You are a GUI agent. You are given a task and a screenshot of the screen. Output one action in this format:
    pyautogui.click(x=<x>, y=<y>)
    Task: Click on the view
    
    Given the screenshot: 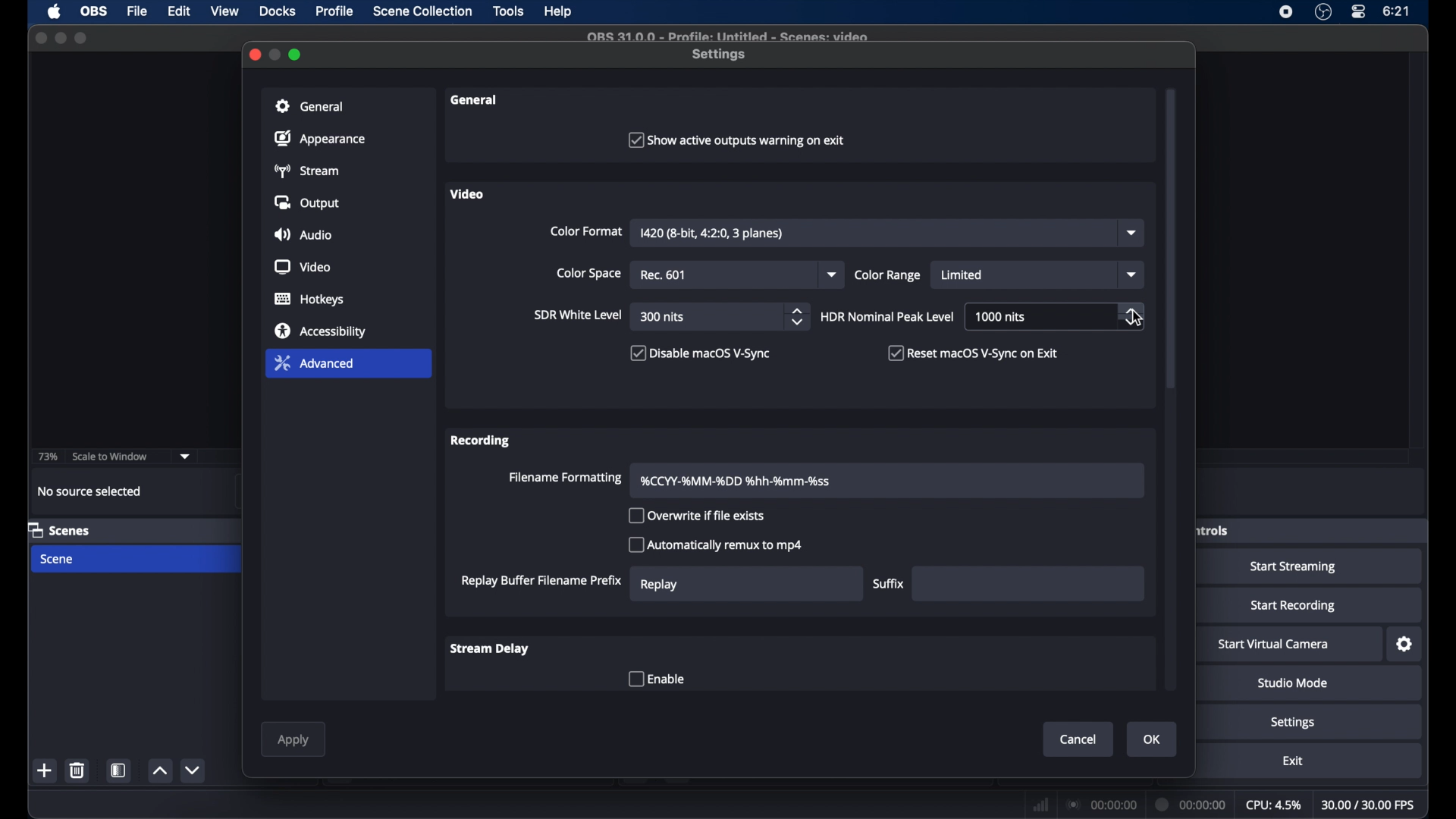 What is the action you would take?
    pyautogui.click(x=224, y=12)
    